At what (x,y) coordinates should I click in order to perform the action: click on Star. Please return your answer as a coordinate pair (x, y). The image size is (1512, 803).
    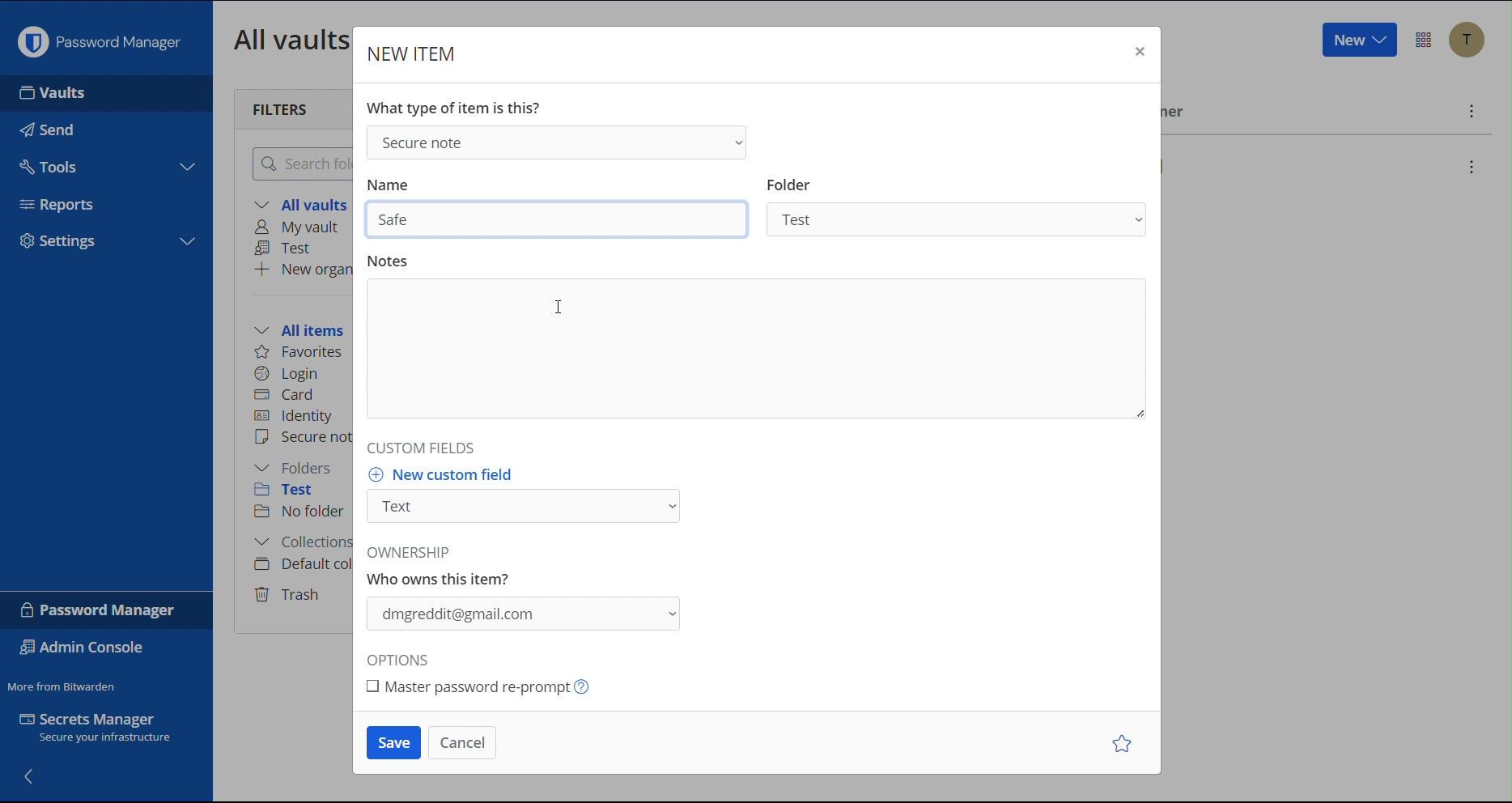
    Looking at the image, I should click on (1125, 743).